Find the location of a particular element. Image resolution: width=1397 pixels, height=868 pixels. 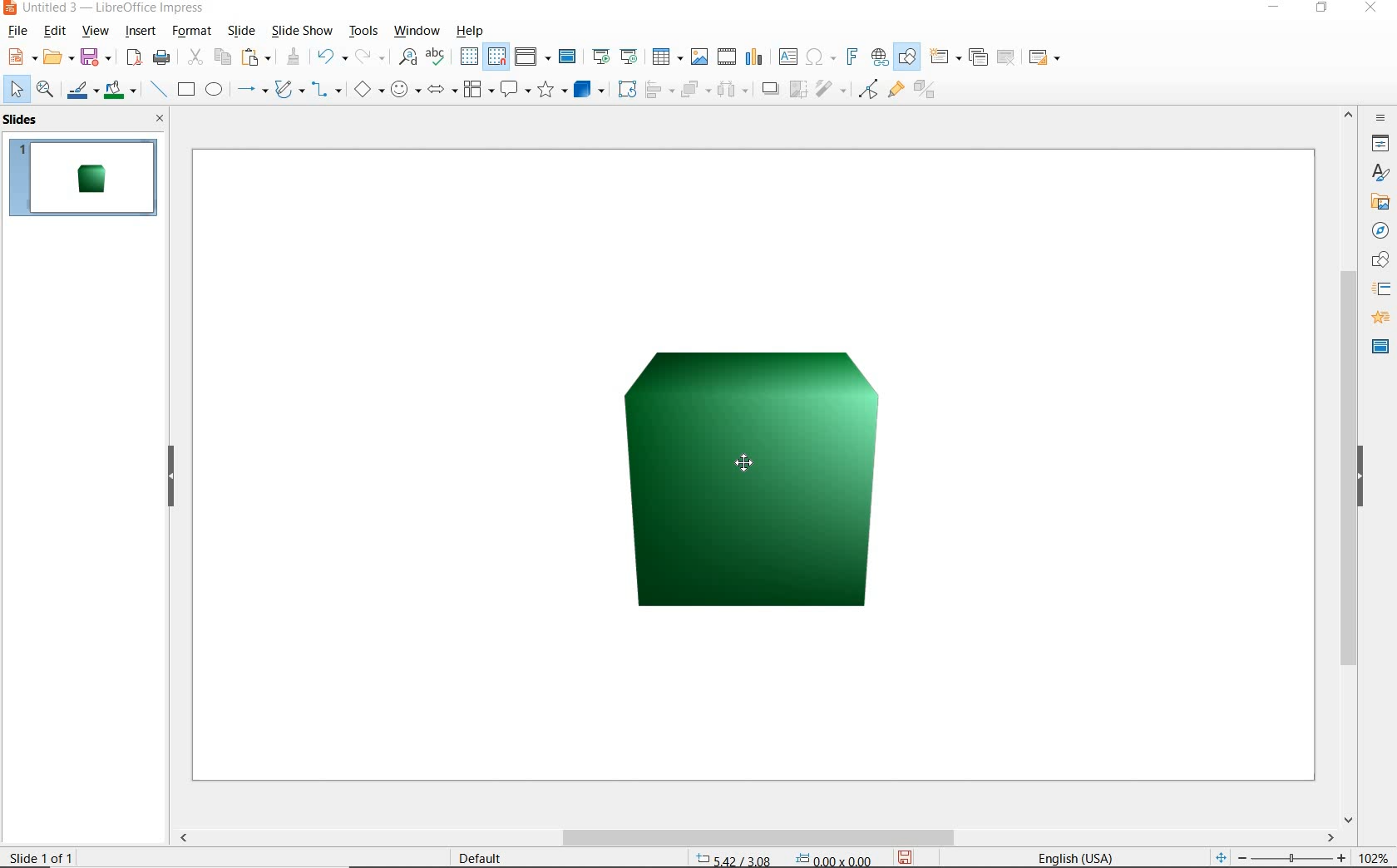

insert line is located at coordinates (157, 89).